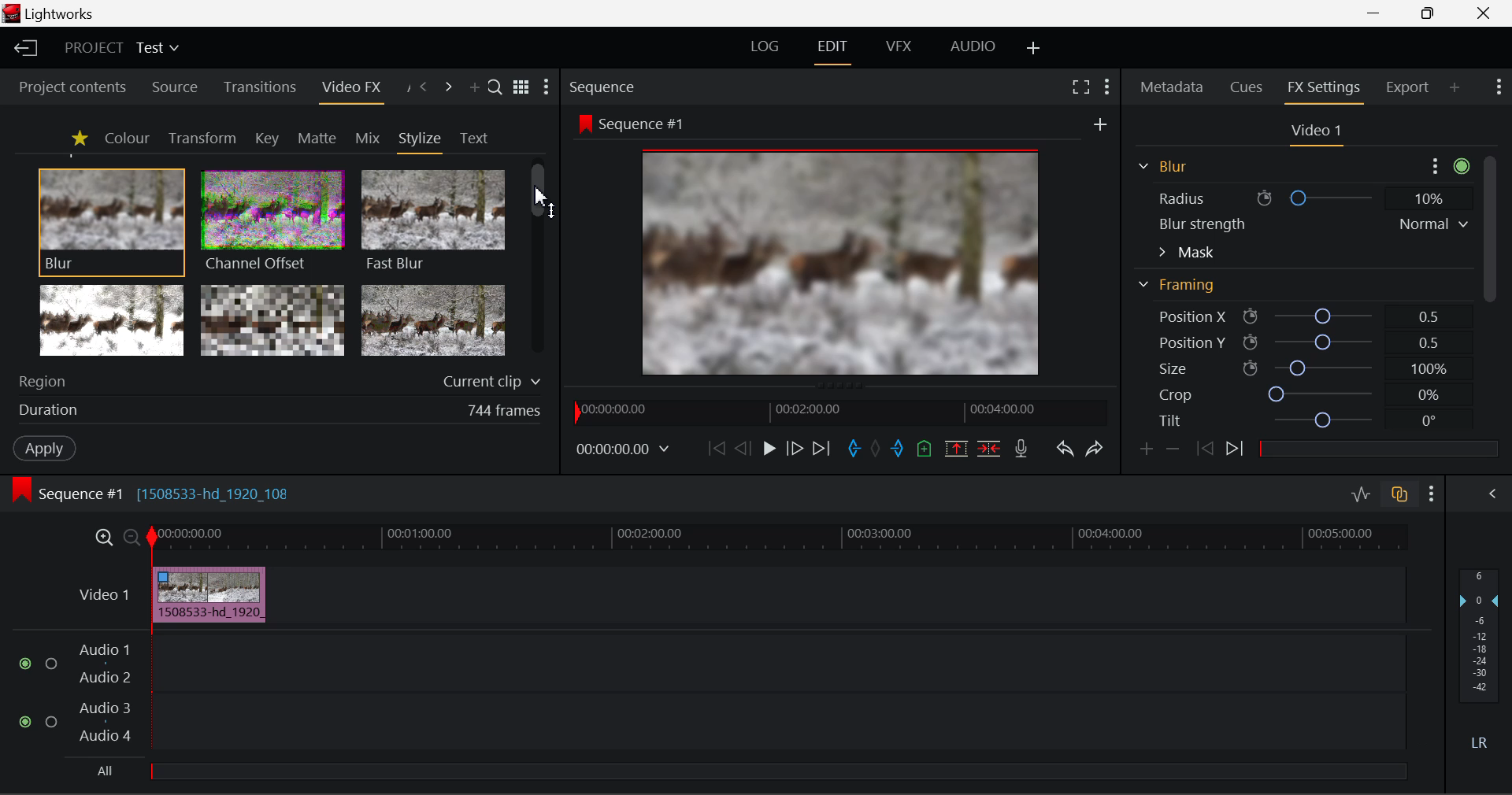 The width and height of the screenshot is (1512, 795). What do you see at coordinates (189, 592) in the screenshot?
I see `cursor` at bounding box center [189, 592].